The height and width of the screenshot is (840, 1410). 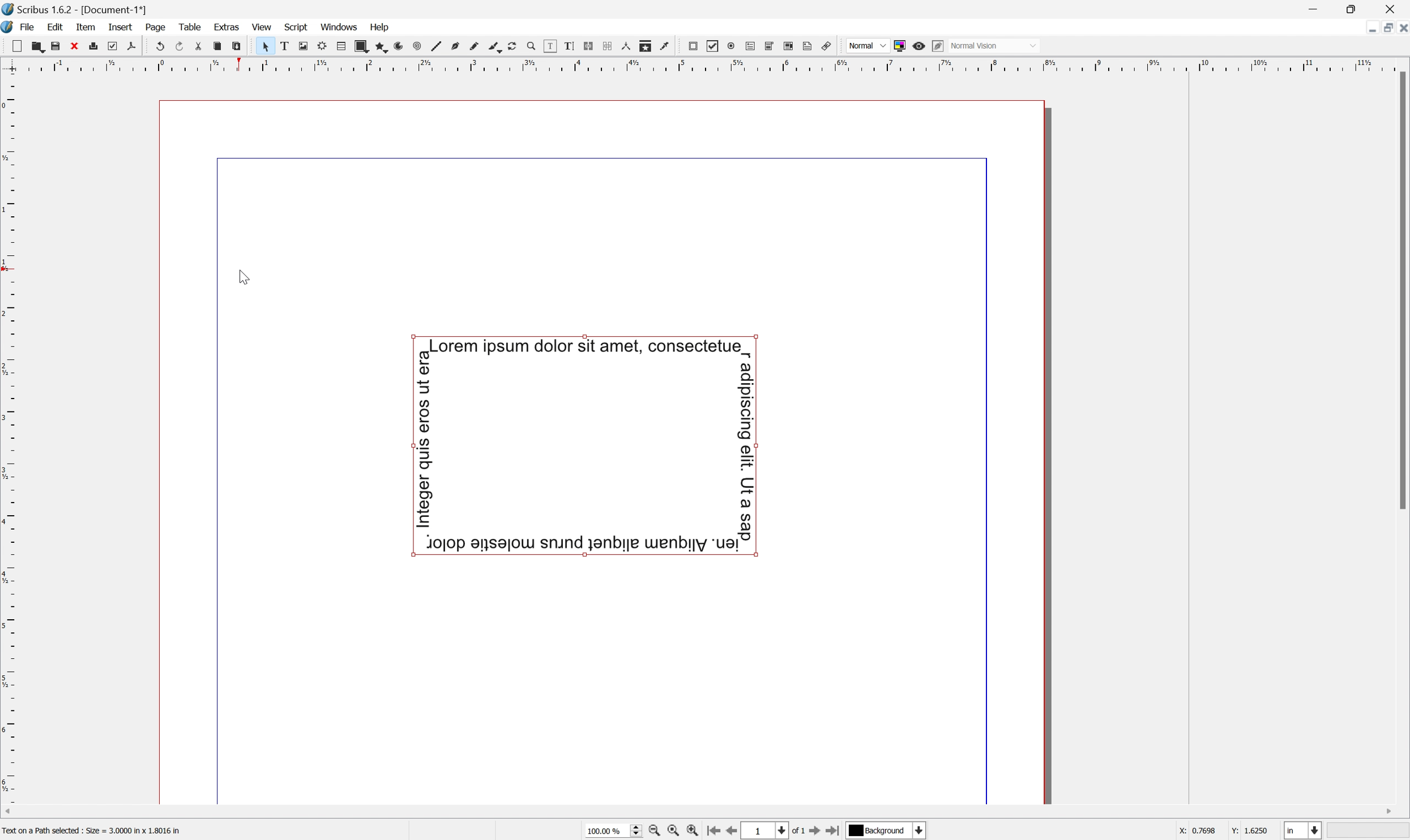 I want to click on Paste, so click(x=237, y=46).